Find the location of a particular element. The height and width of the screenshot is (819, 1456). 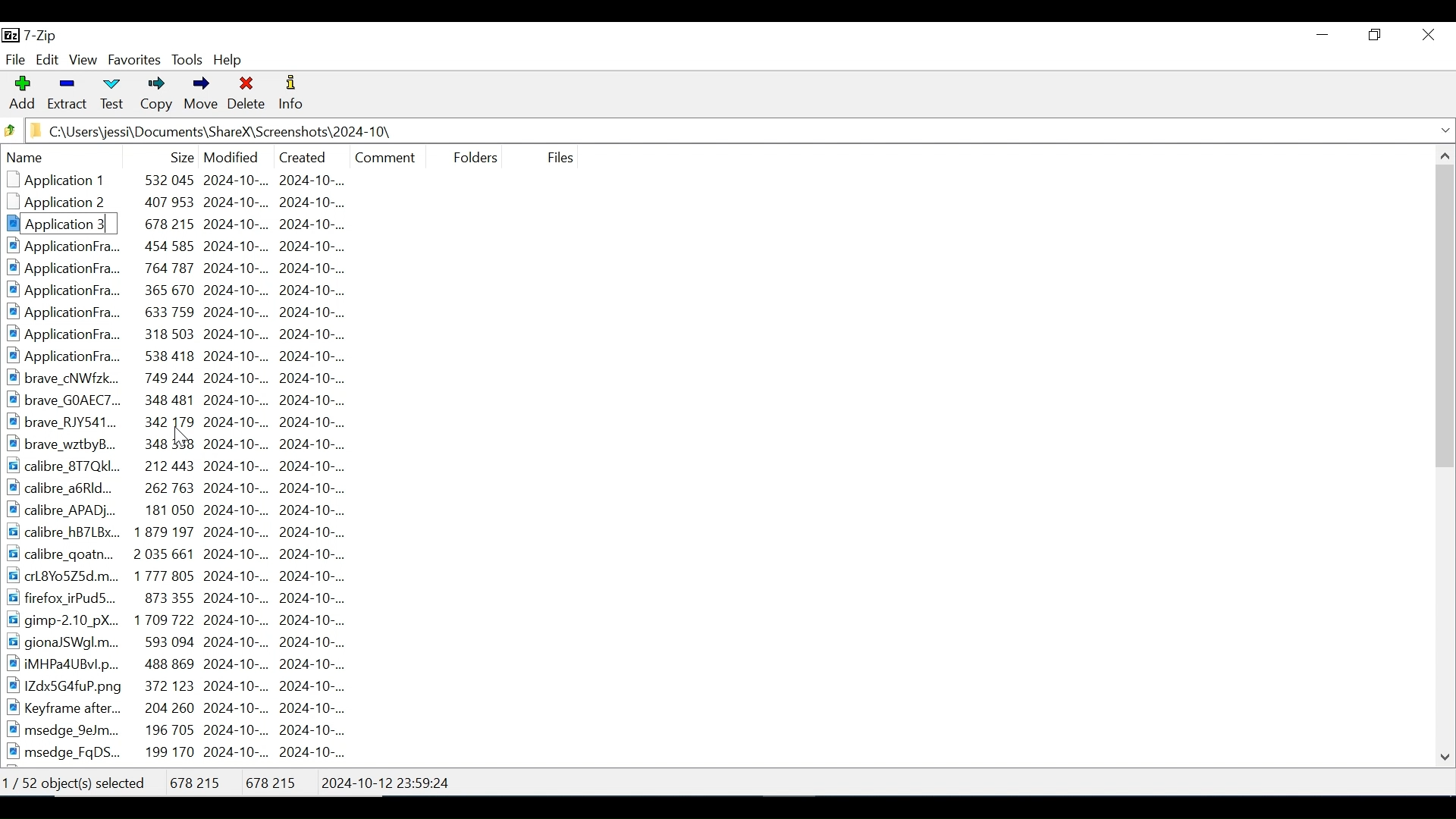

brave RJY541... 342 179 2024-10-... 2024-10-... is located at coordinates (193, 421).